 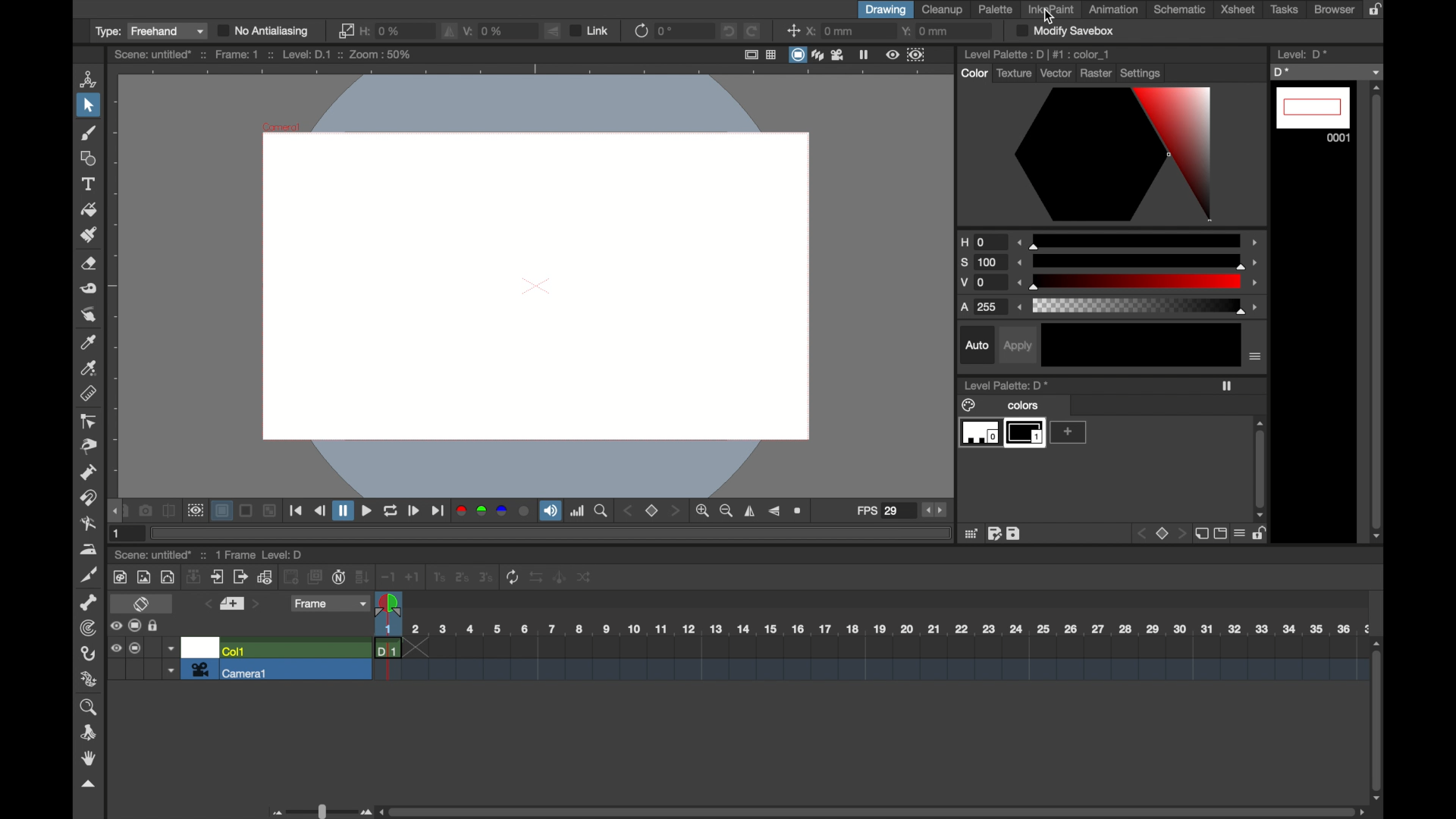 I want to click on frame, so click(x=329, y=604).